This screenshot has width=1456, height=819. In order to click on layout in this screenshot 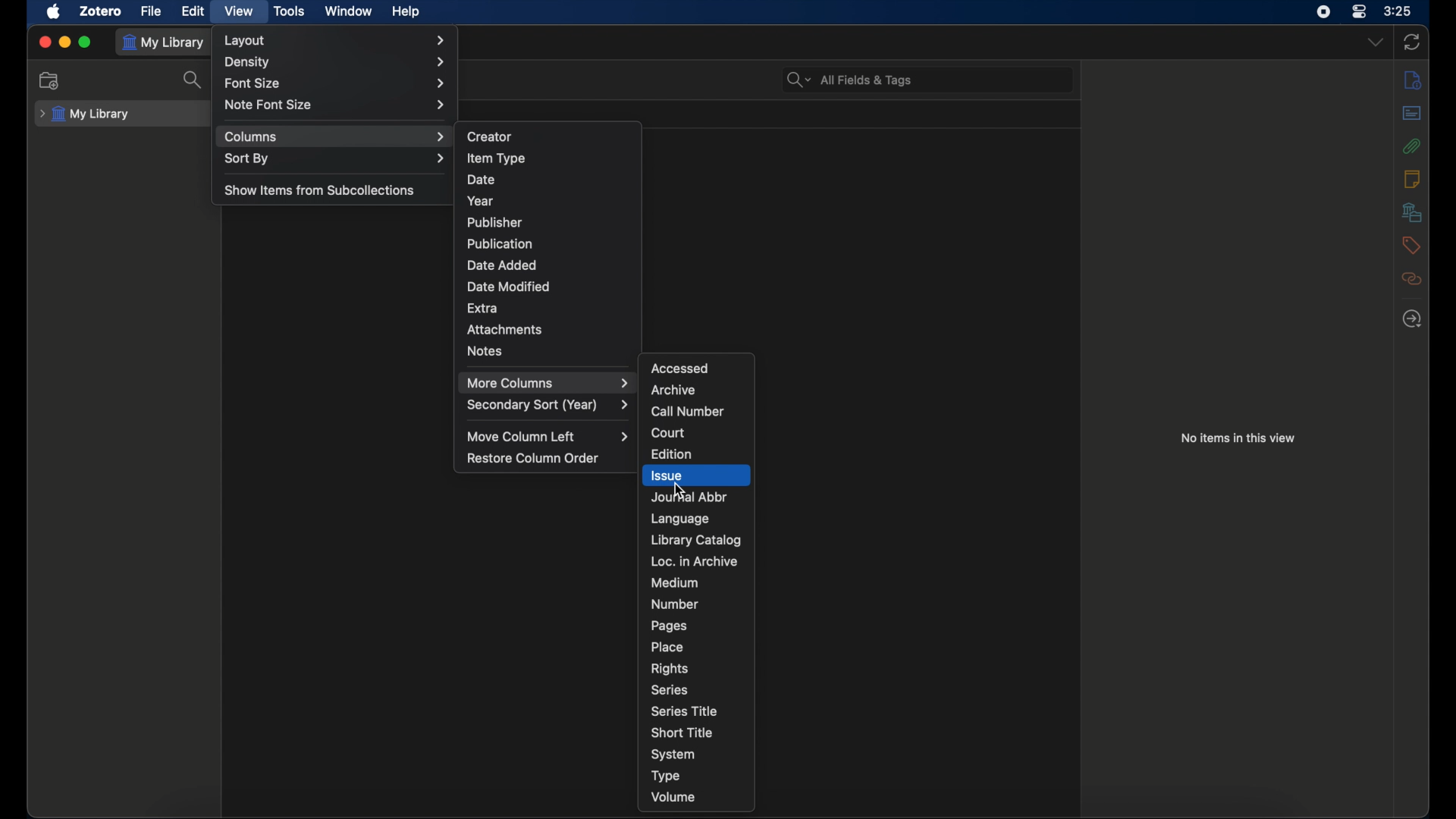, I will do `click(336, 41)`.